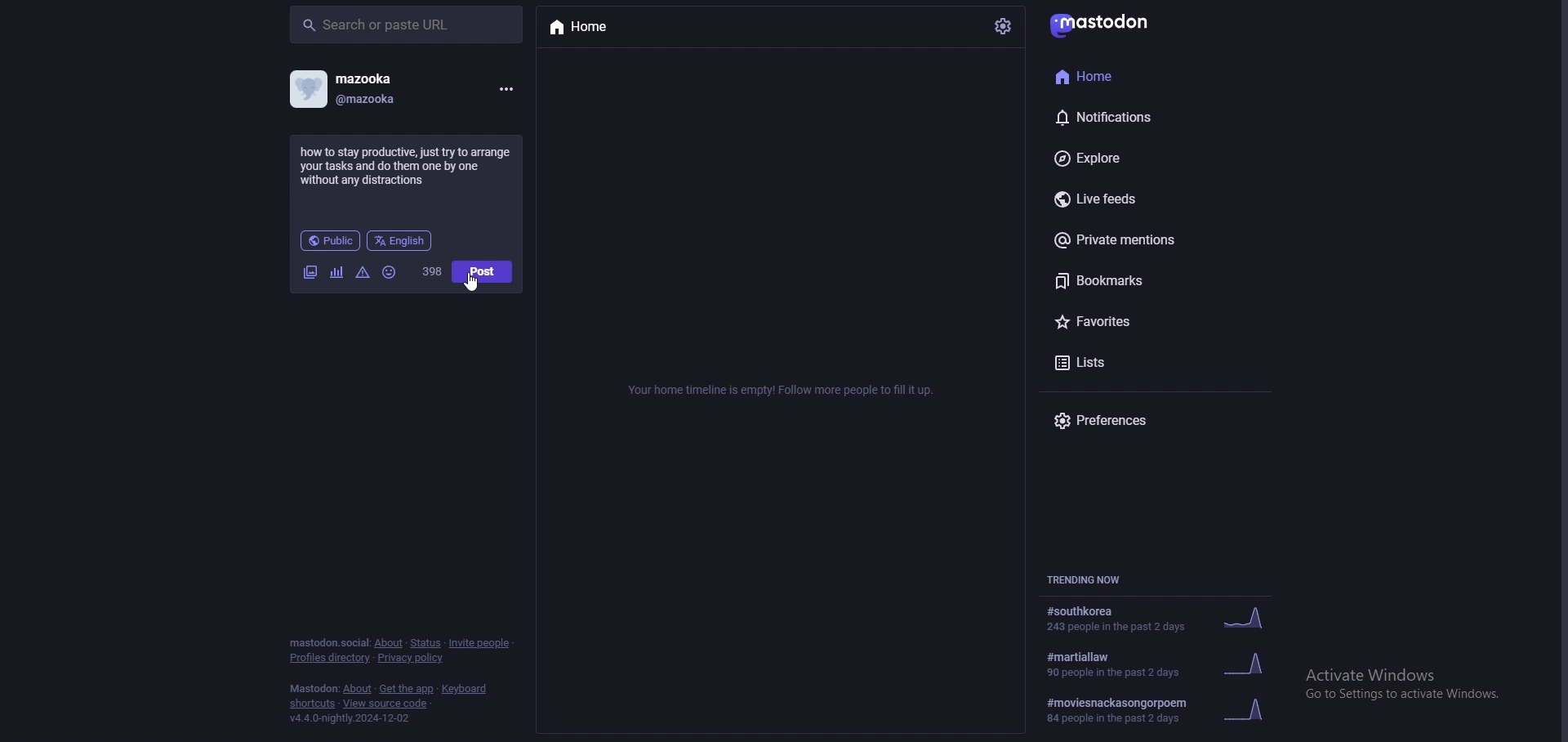  What do you see at coordinates (1005, 26) in the screenshot?
I see `settings` at bounding box center [1005, 26].